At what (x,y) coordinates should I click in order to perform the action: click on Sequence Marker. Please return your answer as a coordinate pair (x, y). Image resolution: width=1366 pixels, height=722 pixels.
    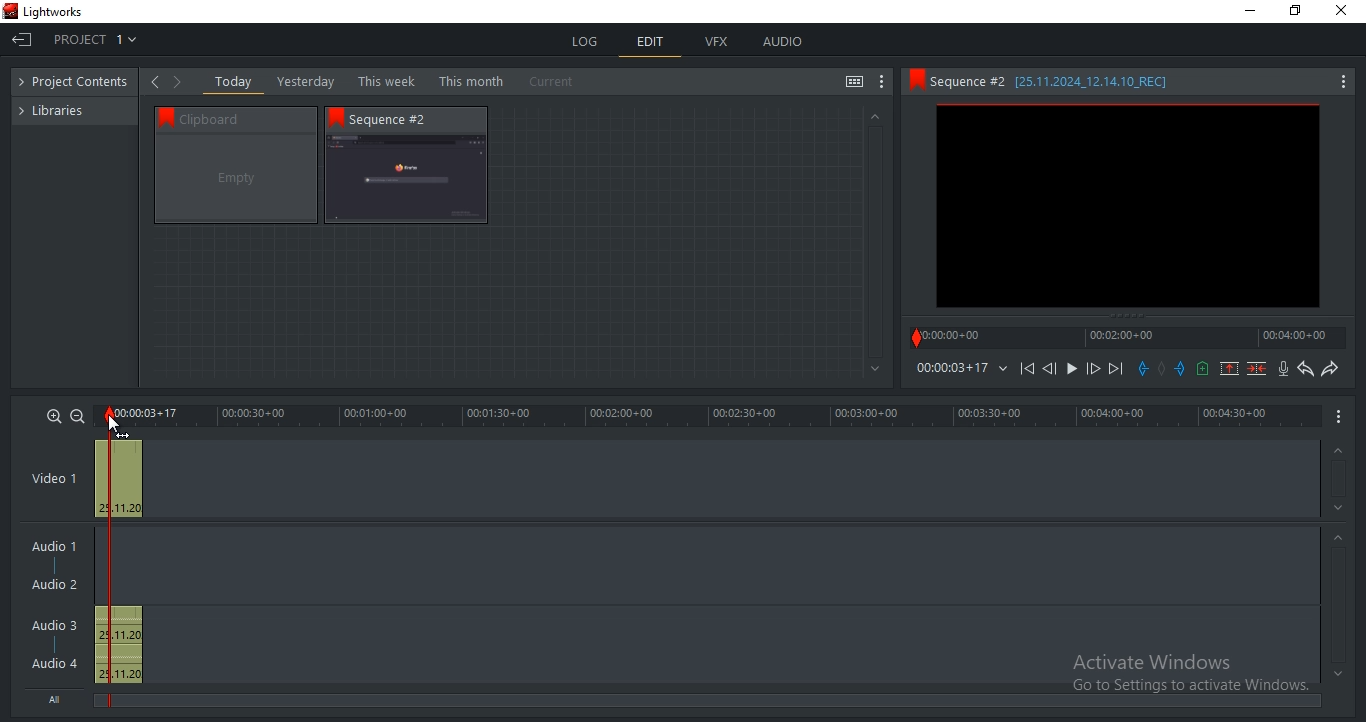
    Looking at the image, I should click on (99, 559).